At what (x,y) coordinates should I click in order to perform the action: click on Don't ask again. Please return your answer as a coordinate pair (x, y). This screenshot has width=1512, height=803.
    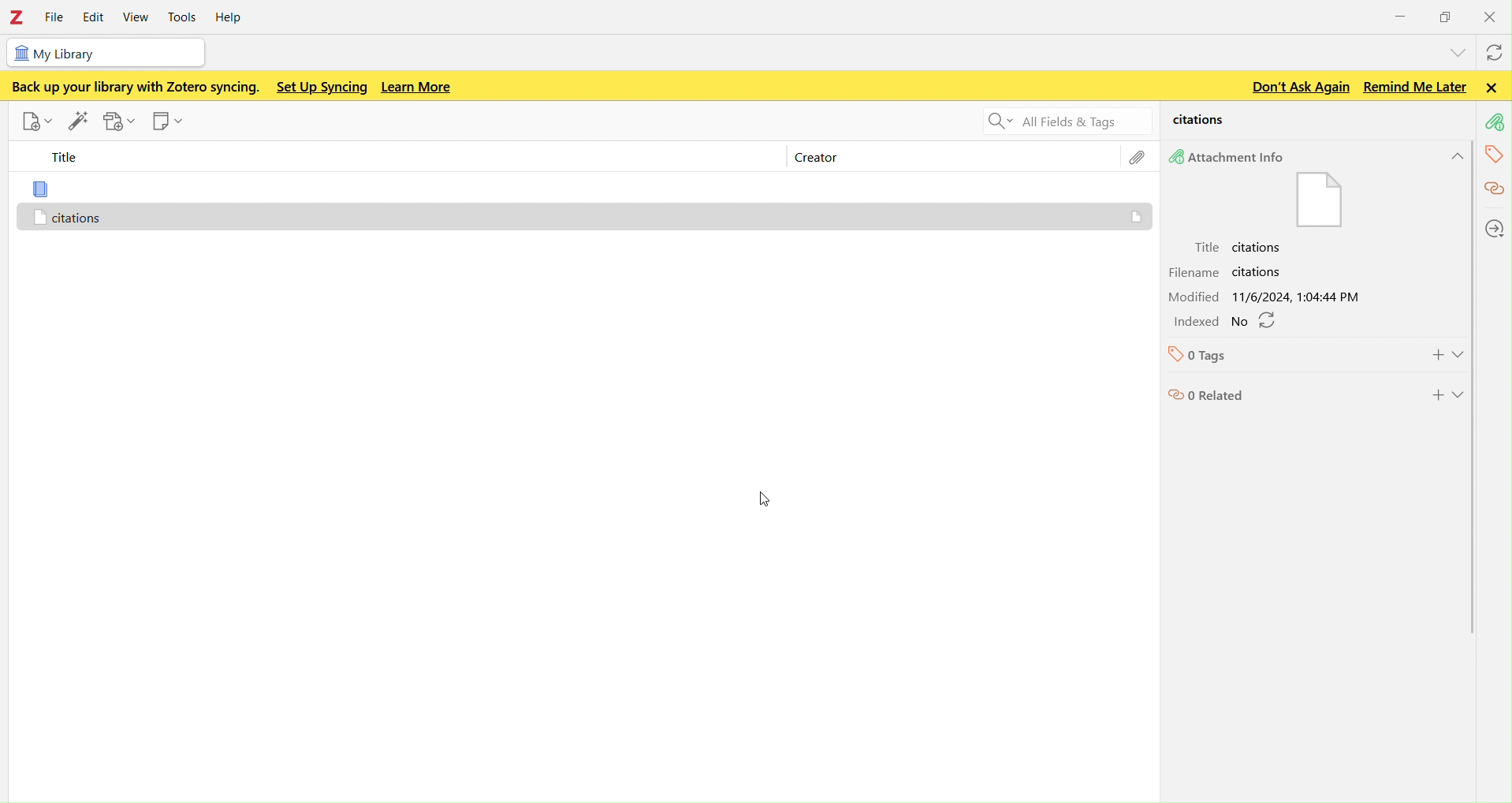
    Looking at the image, I should click on (1298, 86).